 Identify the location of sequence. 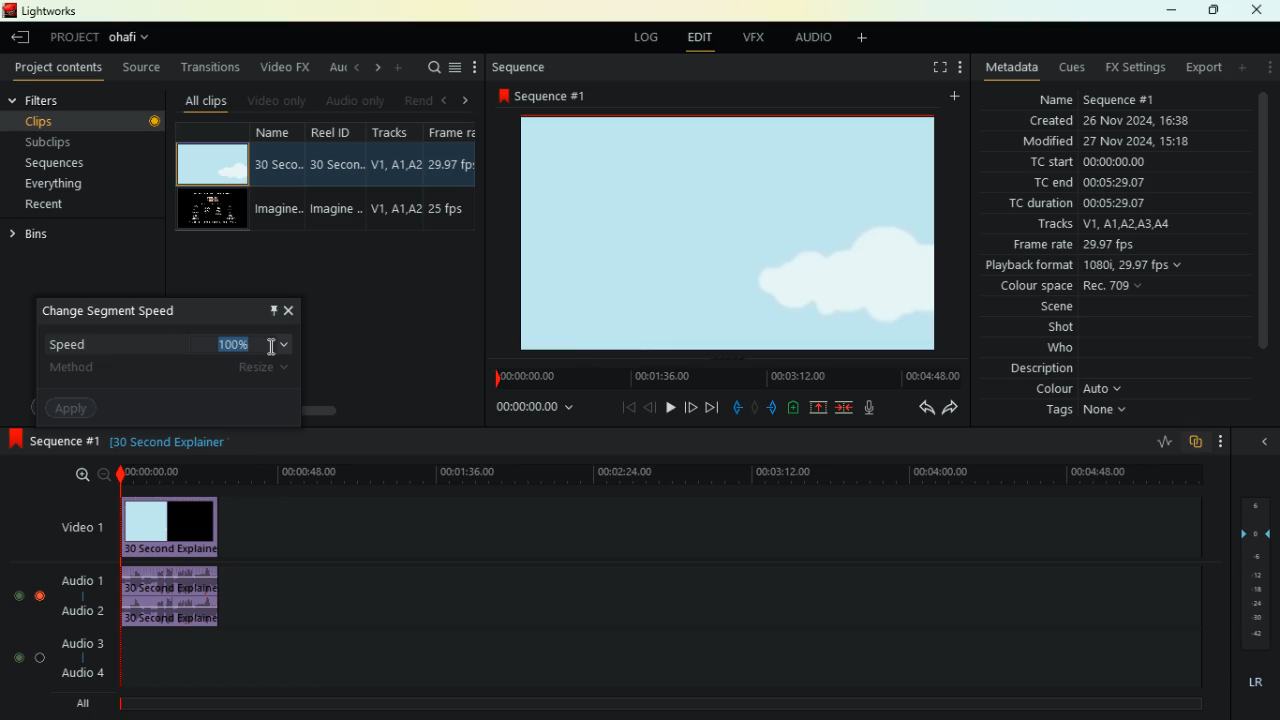
(550, 96).